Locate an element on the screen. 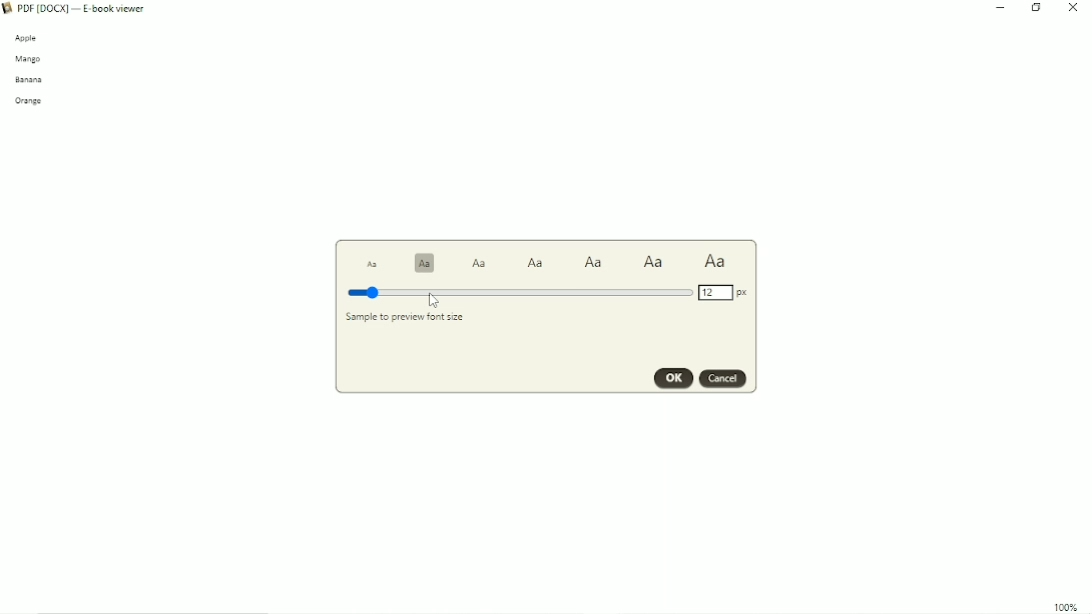 Image resolution: width=1092 pixels, height=614 pixels. banana is located at coordinates (30, 80).